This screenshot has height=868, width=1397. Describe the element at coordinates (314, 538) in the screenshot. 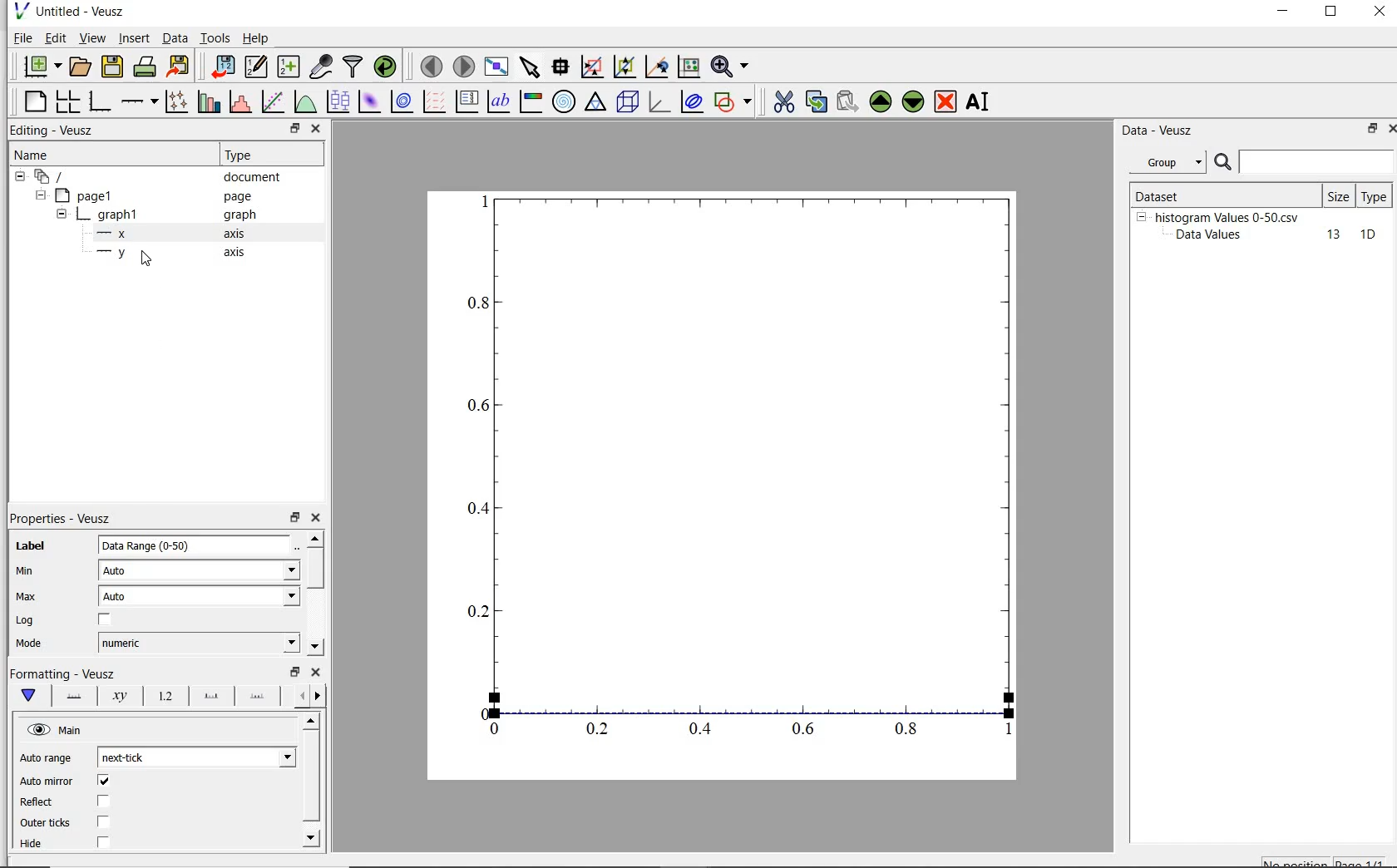

I see `move up` at that location.